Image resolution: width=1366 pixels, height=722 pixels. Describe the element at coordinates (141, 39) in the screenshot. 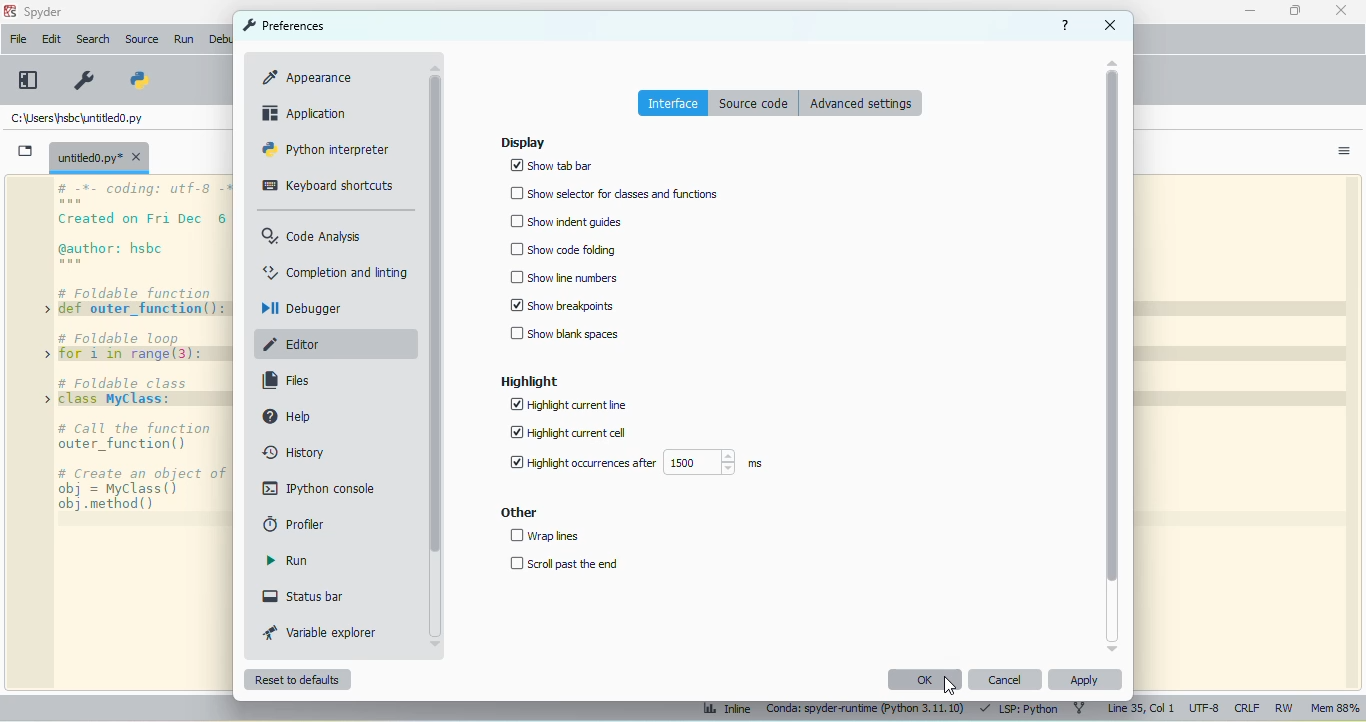

I see `source` at that location.